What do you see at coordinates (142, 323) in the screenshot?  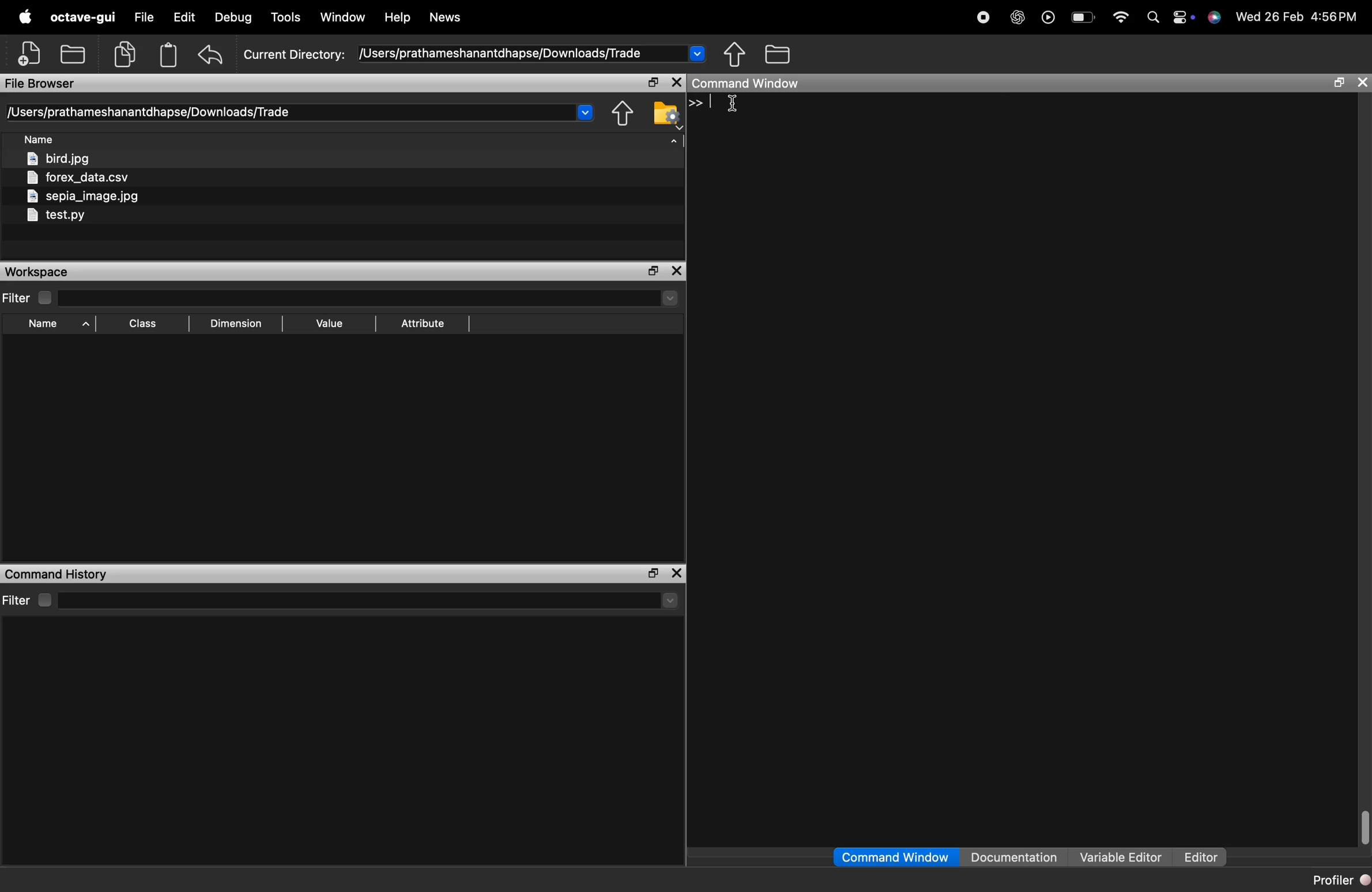 I see `[EE` at bounding box center [142, 323].